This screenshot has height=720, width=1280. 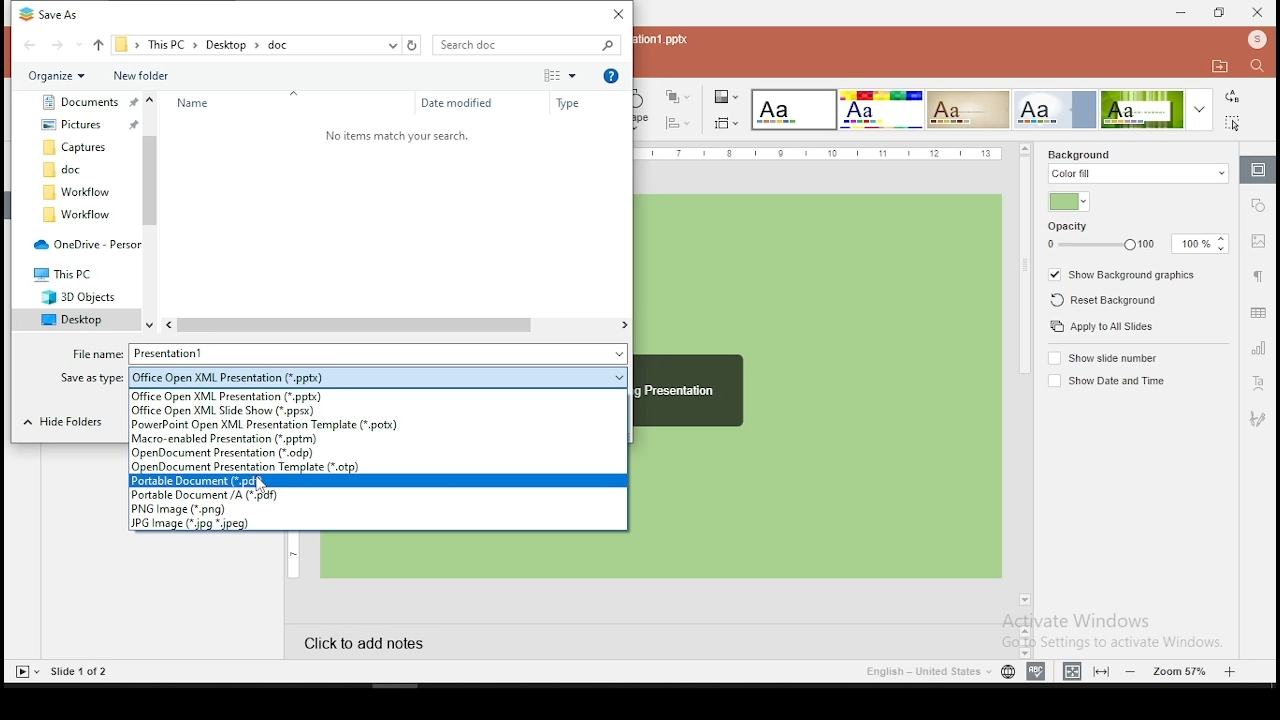 I want to click on Close, so click(x=615, y=14).